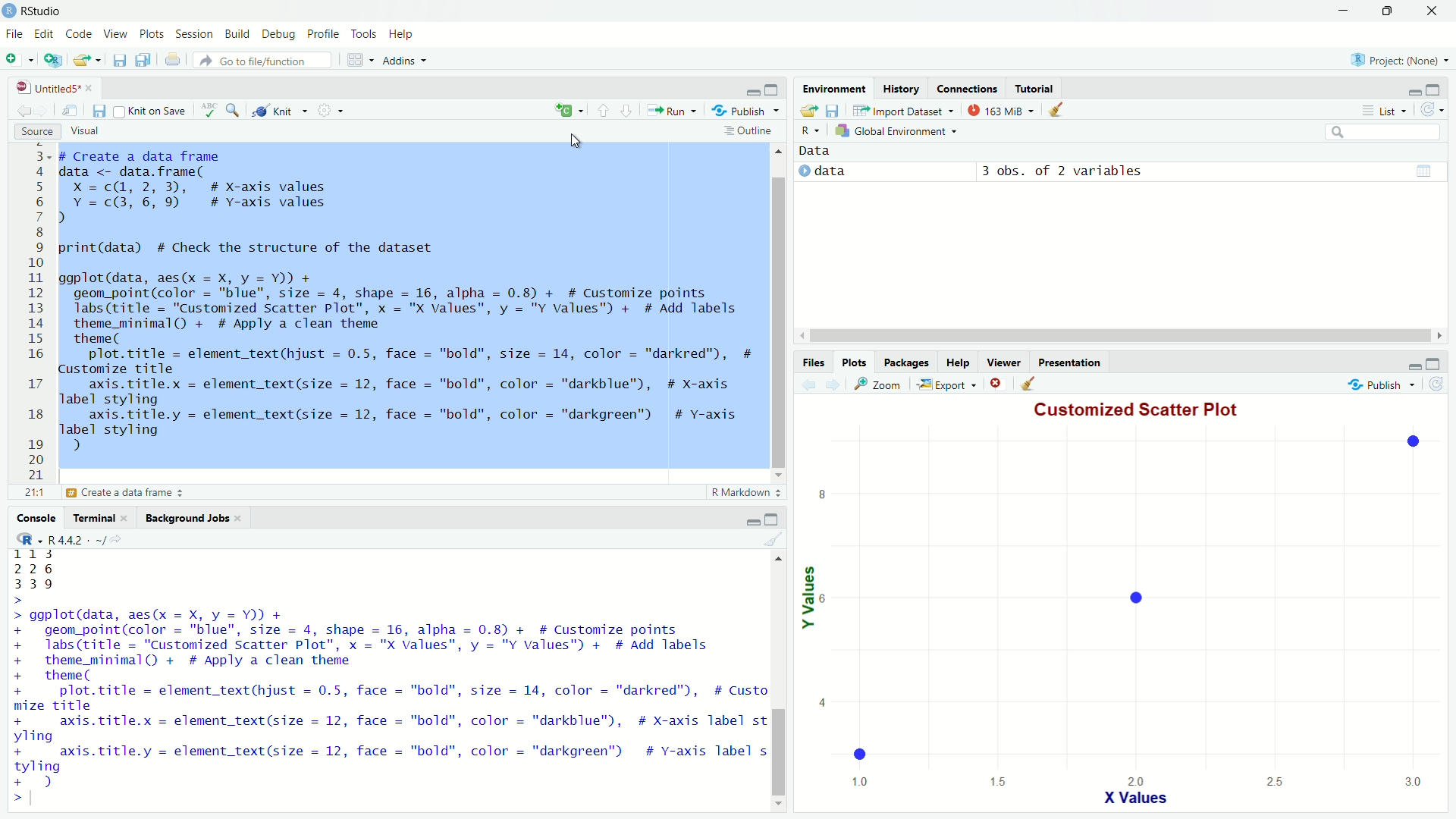 This screenshot has height=819, width=1456. Describe the element at coordinates (1133, 789) in the screenshot. I see `X Values` at that location.